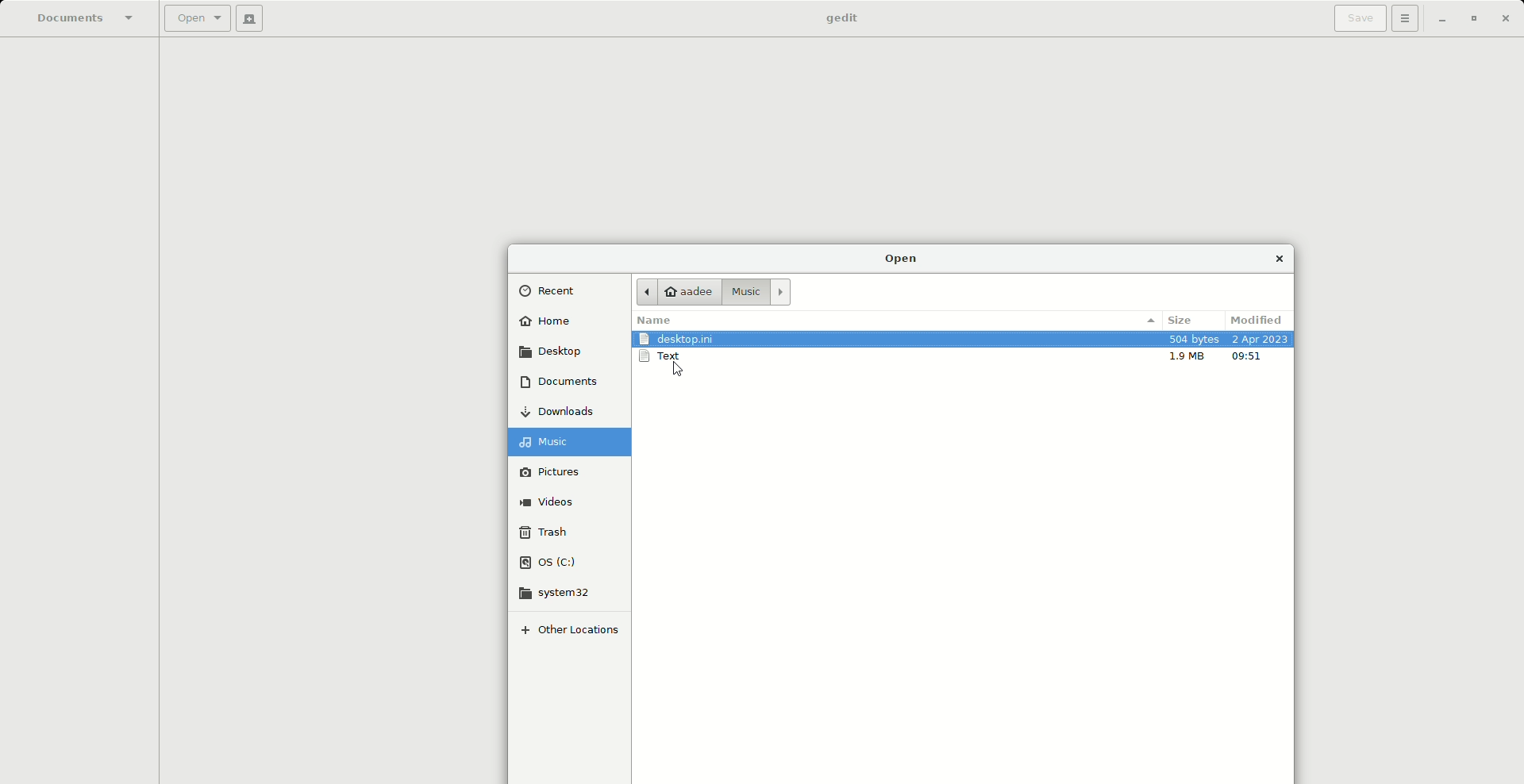  I want to click on Pictures, so click(570, 475).